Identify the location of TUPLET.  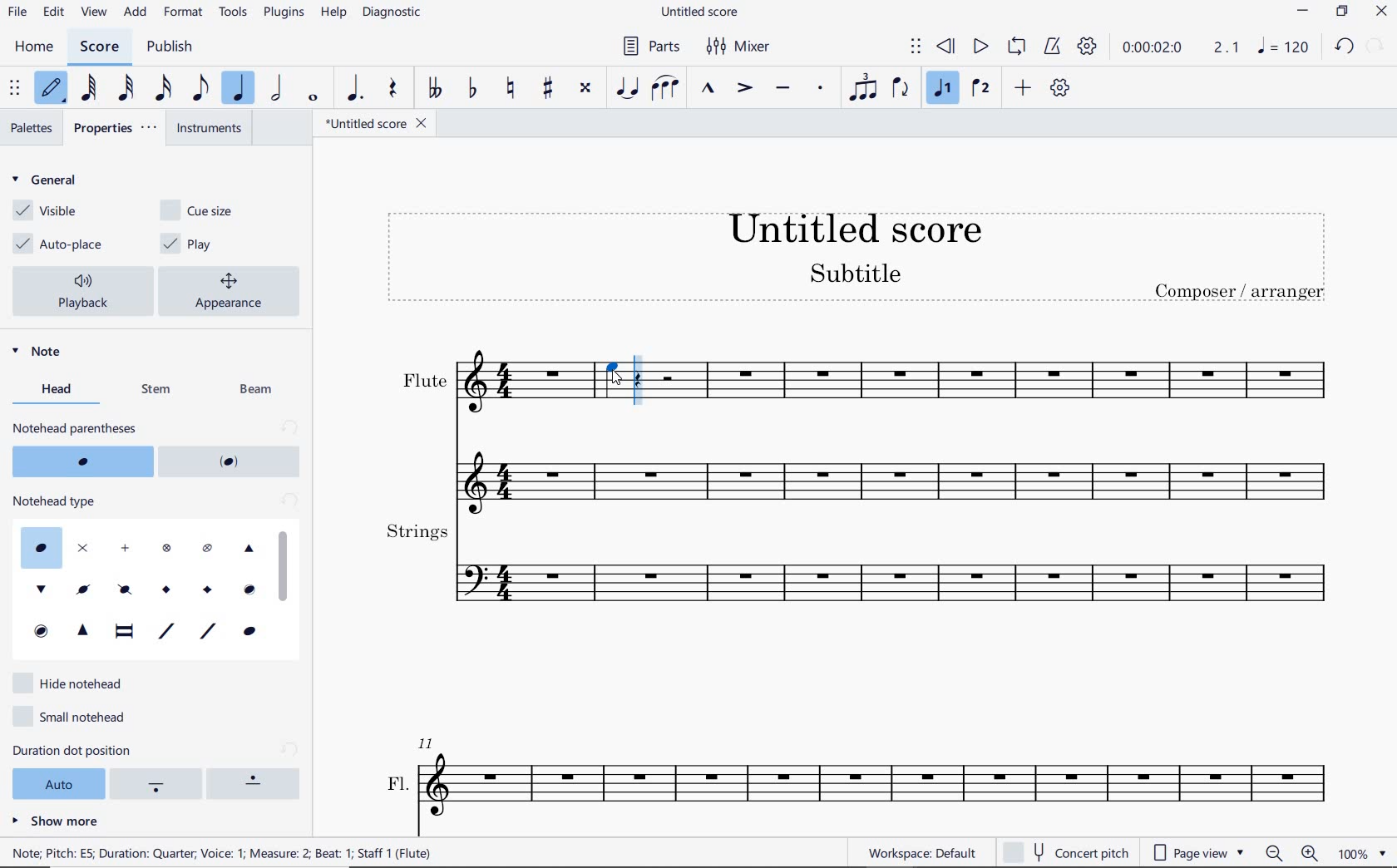
(866, 86).